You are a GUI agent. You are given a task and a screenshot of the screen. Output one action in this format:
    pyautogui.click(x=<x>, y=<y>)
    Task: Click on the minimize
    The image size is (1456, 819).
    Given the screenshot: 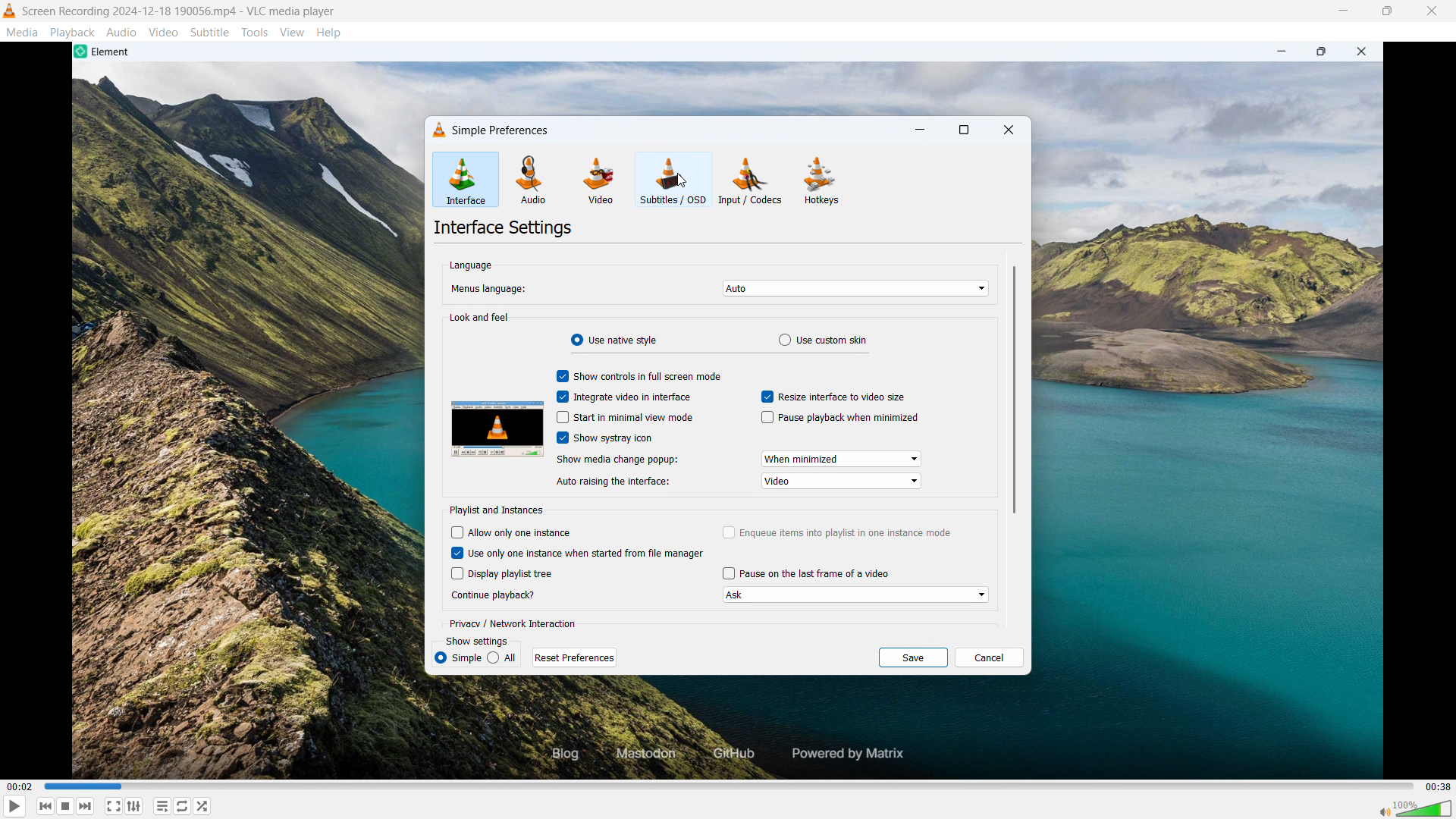 What is the action you would take?
    pyautogui.click(x=1341, y=11)
    